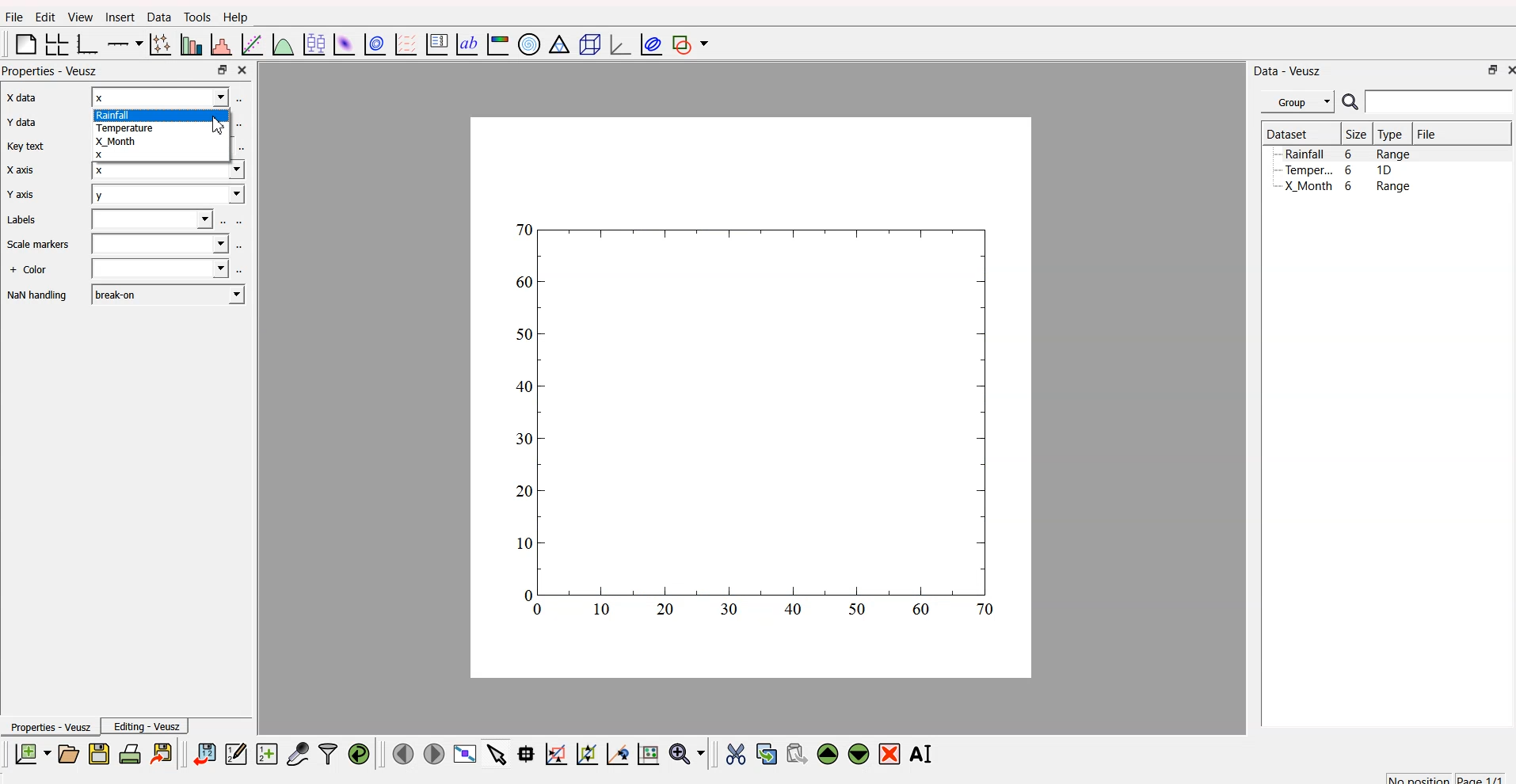 Image resolution: width=1516 pixels, height=784 pixels. Describe the element at coordinates (584, 754) in the screenshot. I see `draw points` at that location.